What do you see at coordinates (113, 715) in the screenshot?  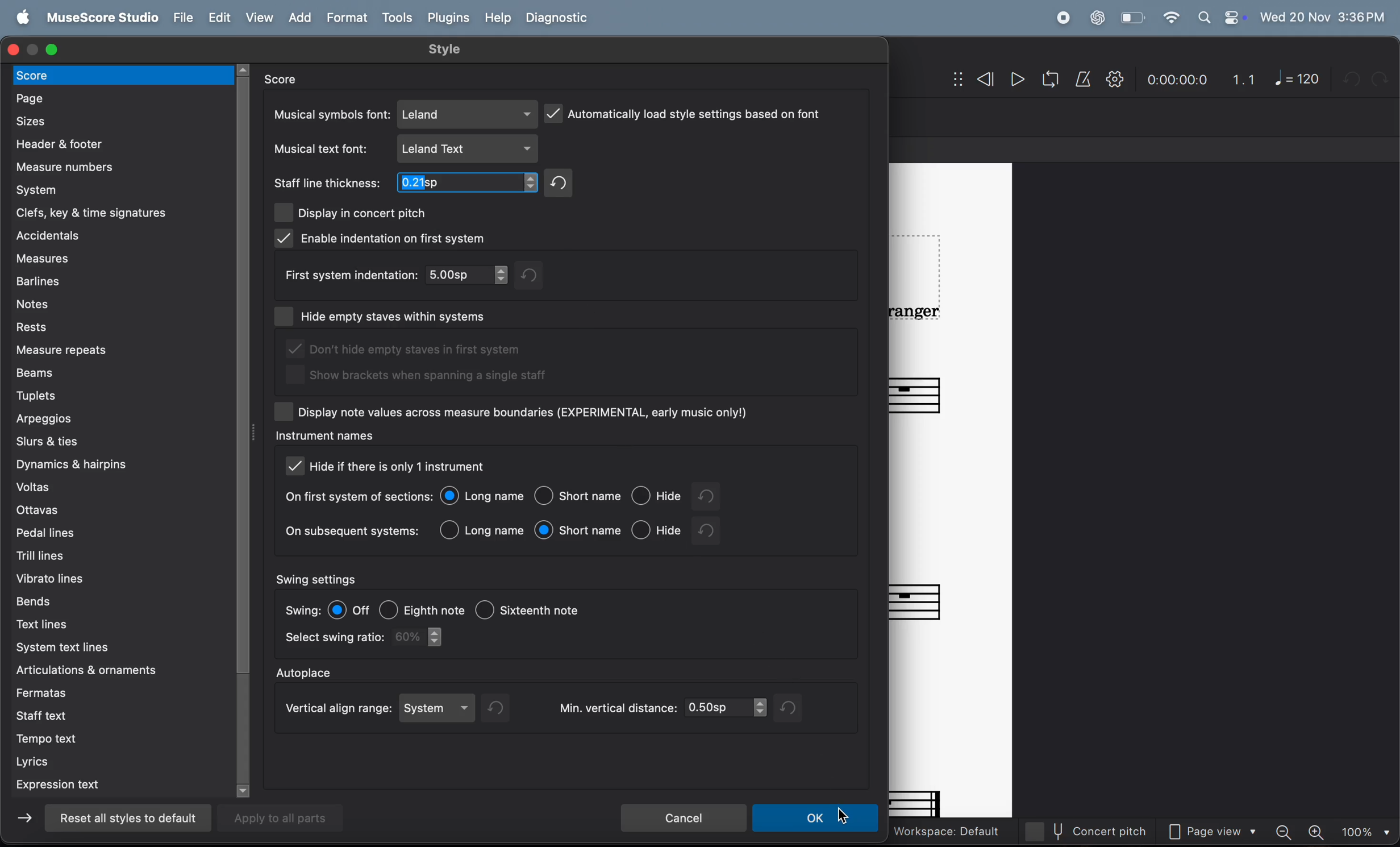 I see `staff text` at bounding box center [113, 715].